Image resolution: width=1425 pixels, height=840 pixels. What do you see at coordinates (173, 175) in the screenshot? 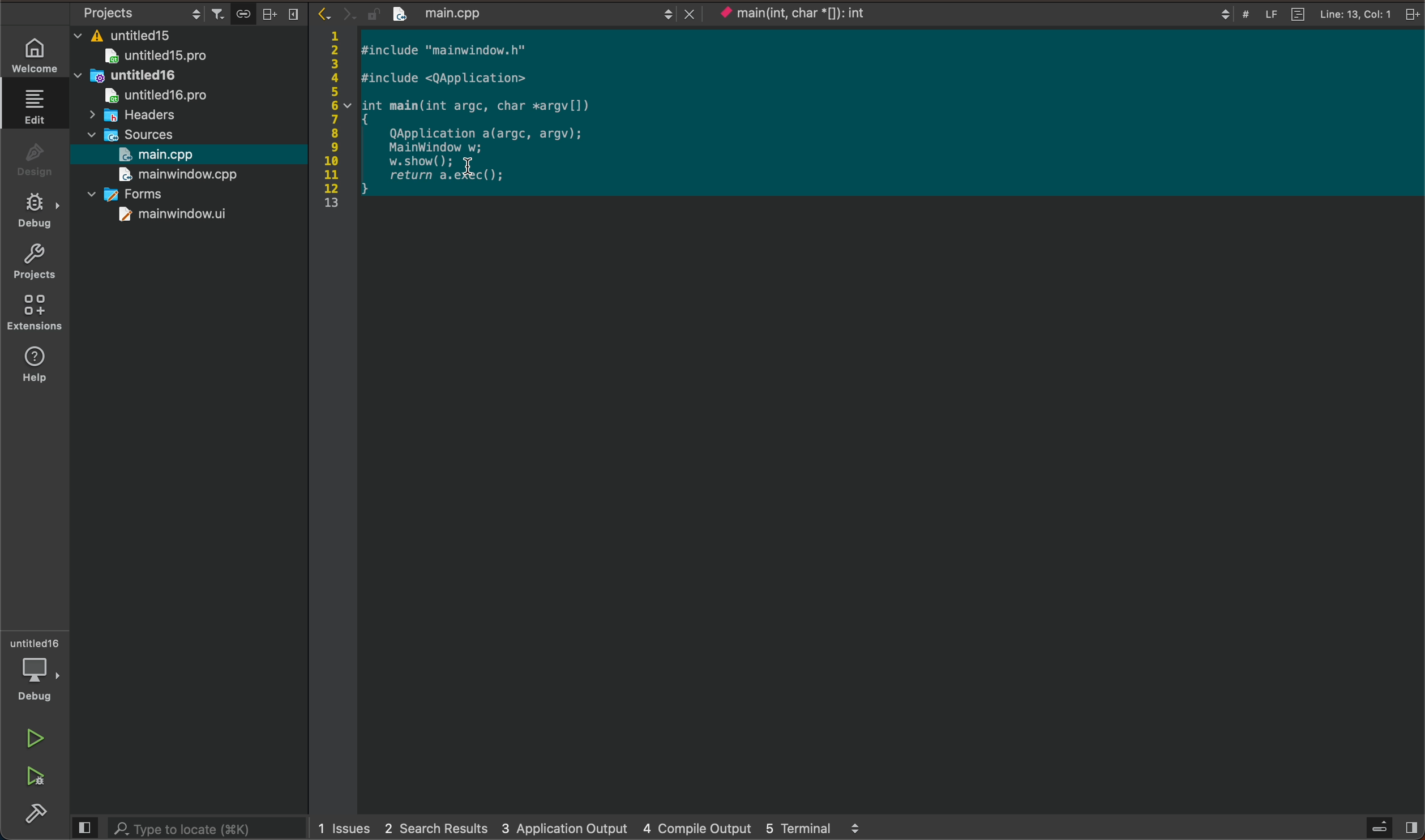
I see `mainwindow.cpp` at bounding box center [173, 175].